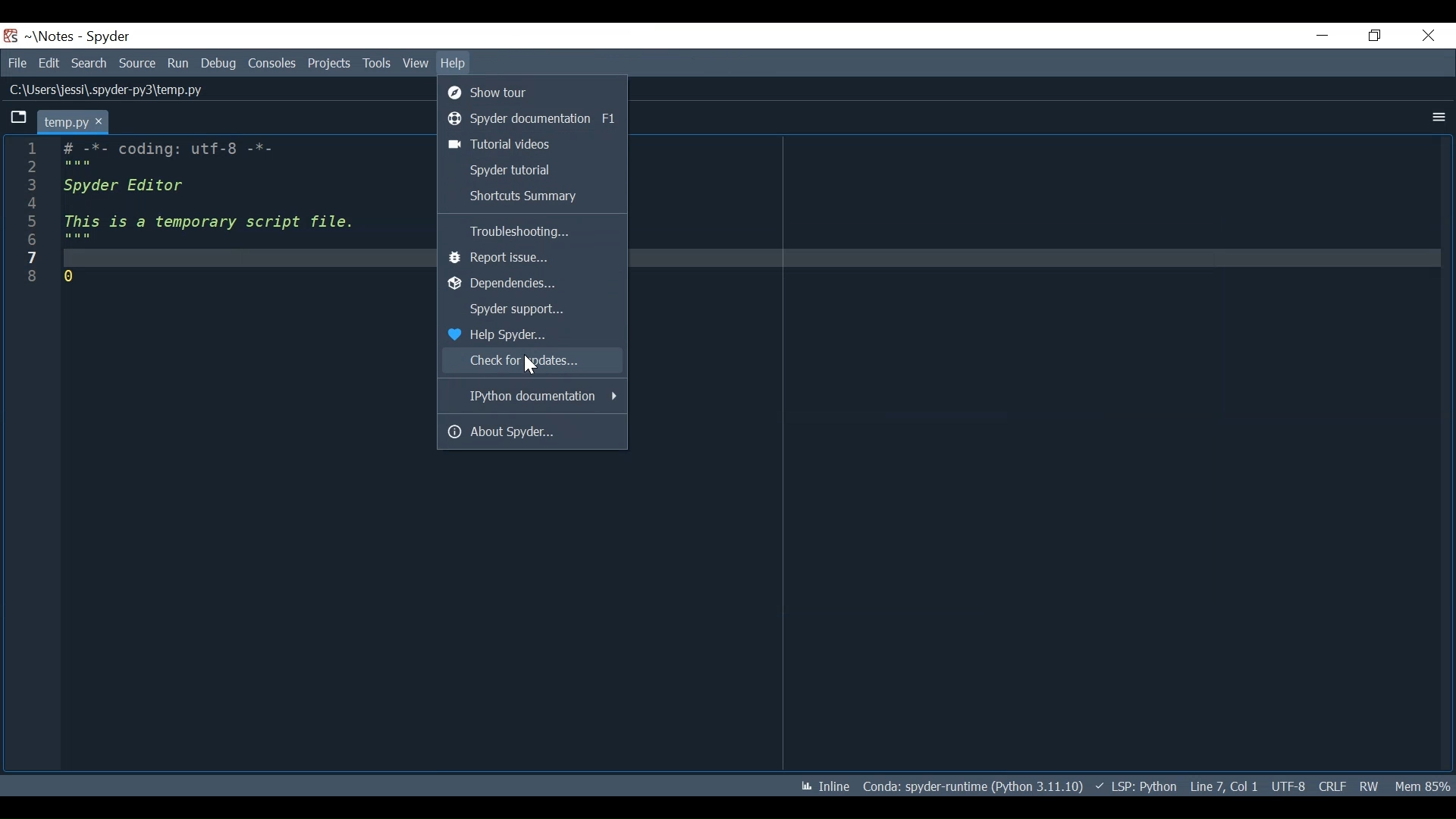 The image size is (1456, 819). I want to click on -*- coding: utf-8 -*-spyder Editor this is a temporary script file., so click(211, 212).